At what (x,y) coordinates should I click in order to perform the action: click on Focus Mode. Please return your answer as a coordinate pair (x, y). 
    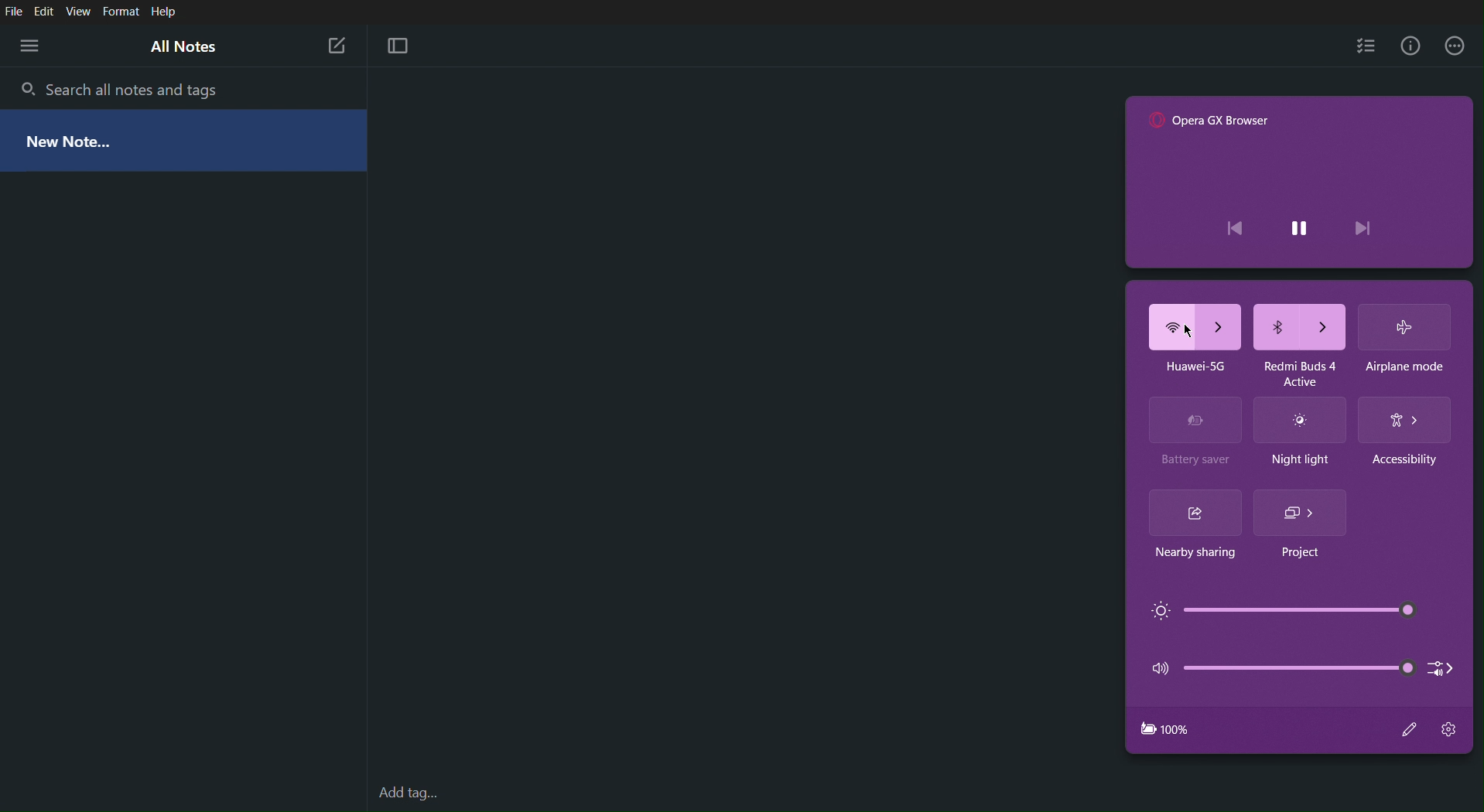
    Looking at the image, I should click on (399, 46).